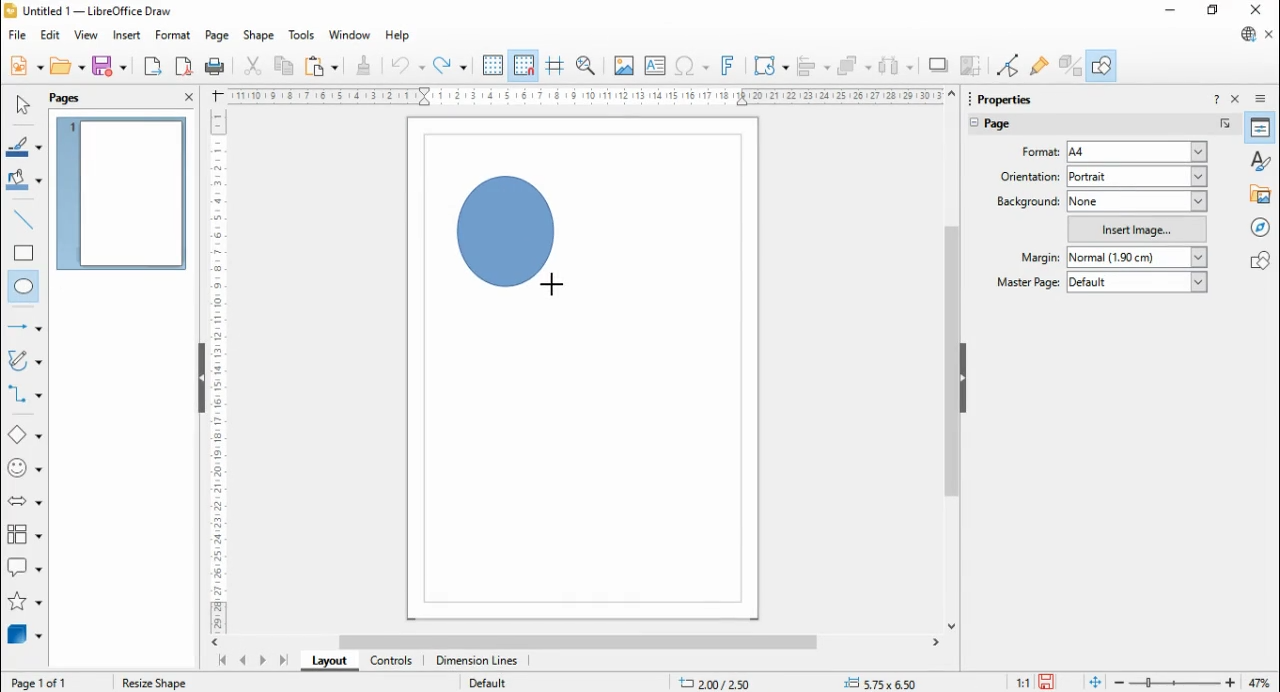 This screenshot has height=692, width=1280. I want to click on help, so click(398, 36).